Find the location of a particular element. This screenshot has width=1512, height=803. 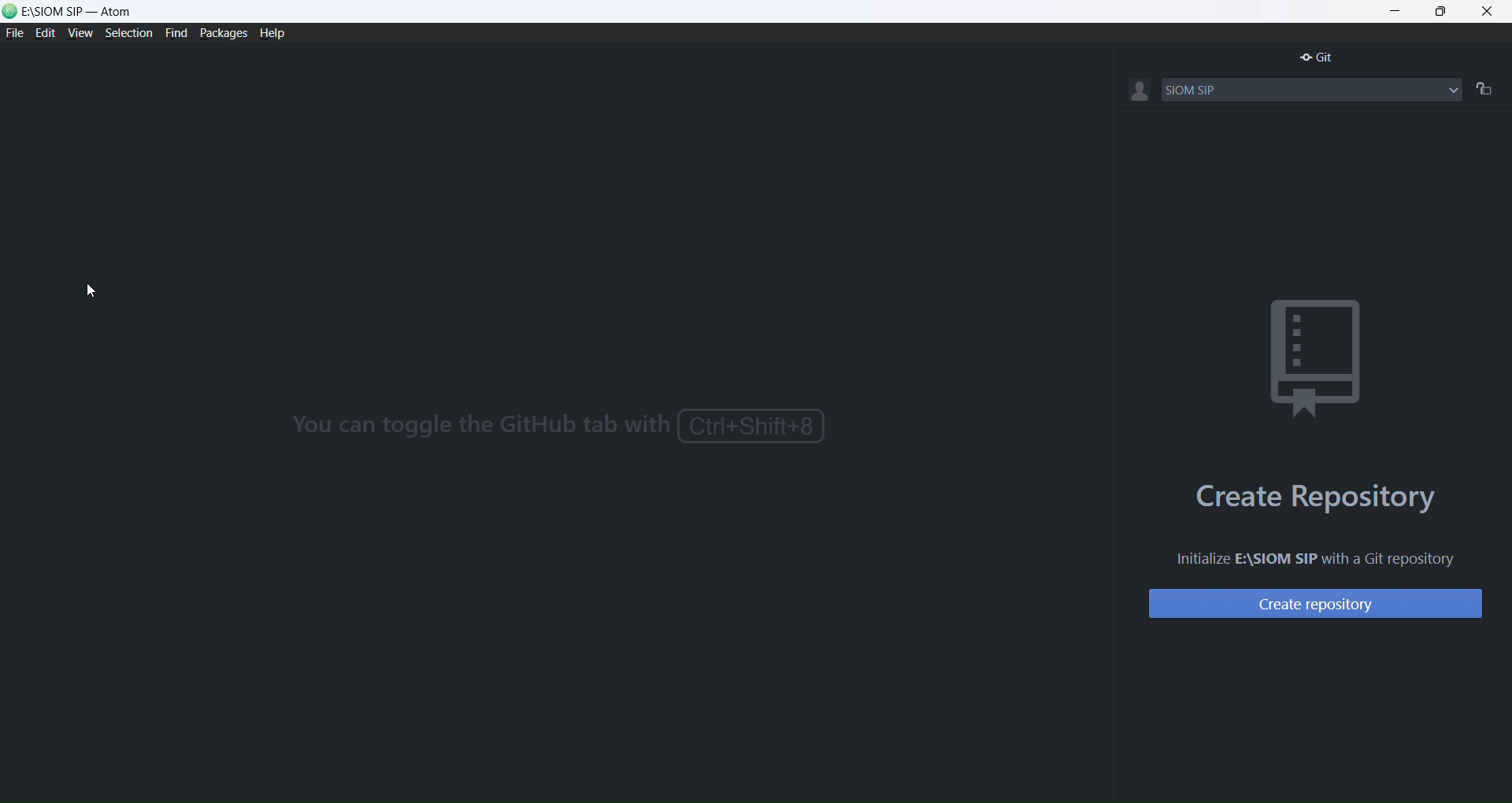

siam sip is located at coordinates (1295, 90).